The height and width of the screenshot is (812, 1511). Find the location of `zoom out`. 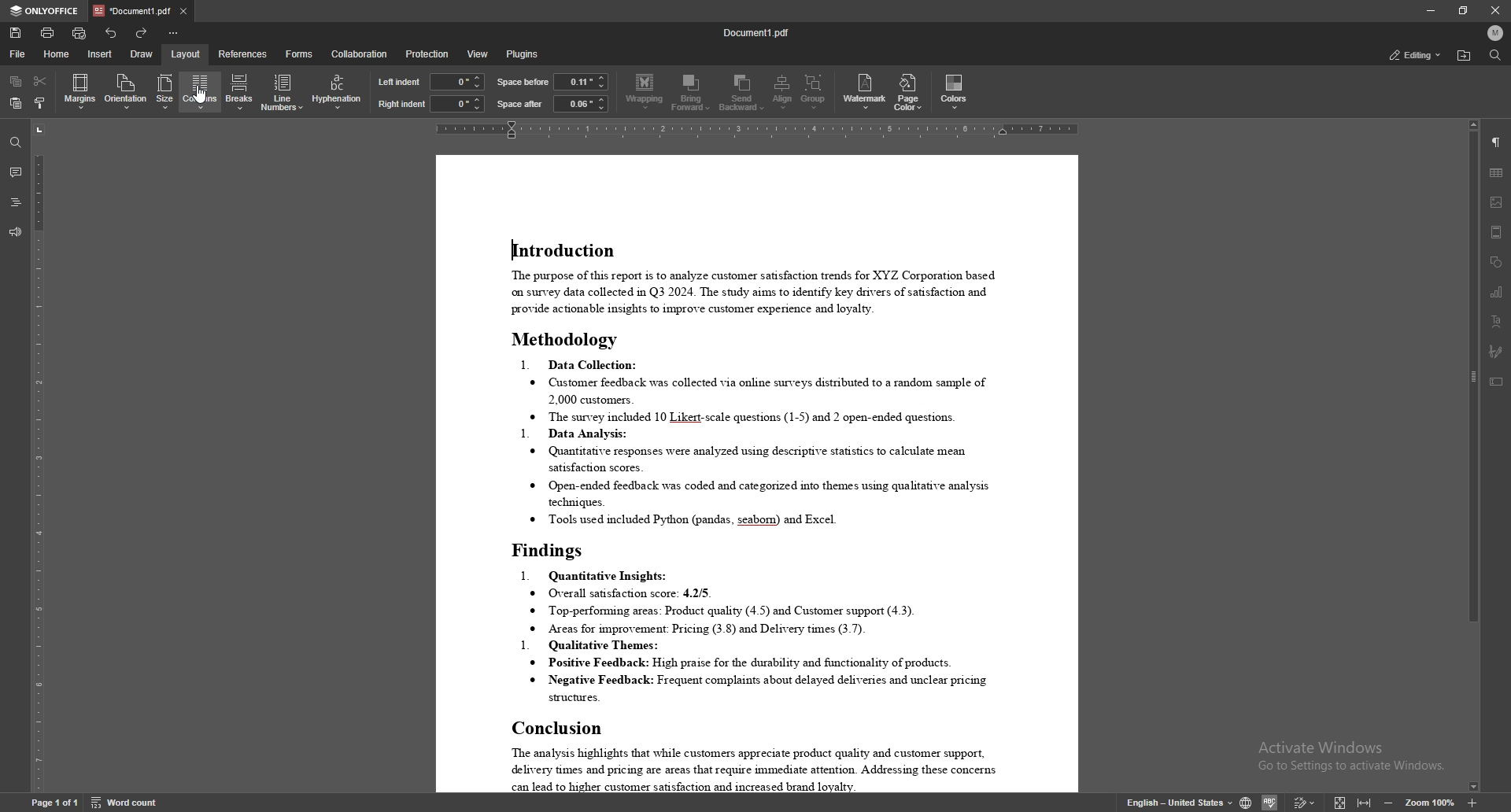

zoom out is located at coordinates (1391, 801).